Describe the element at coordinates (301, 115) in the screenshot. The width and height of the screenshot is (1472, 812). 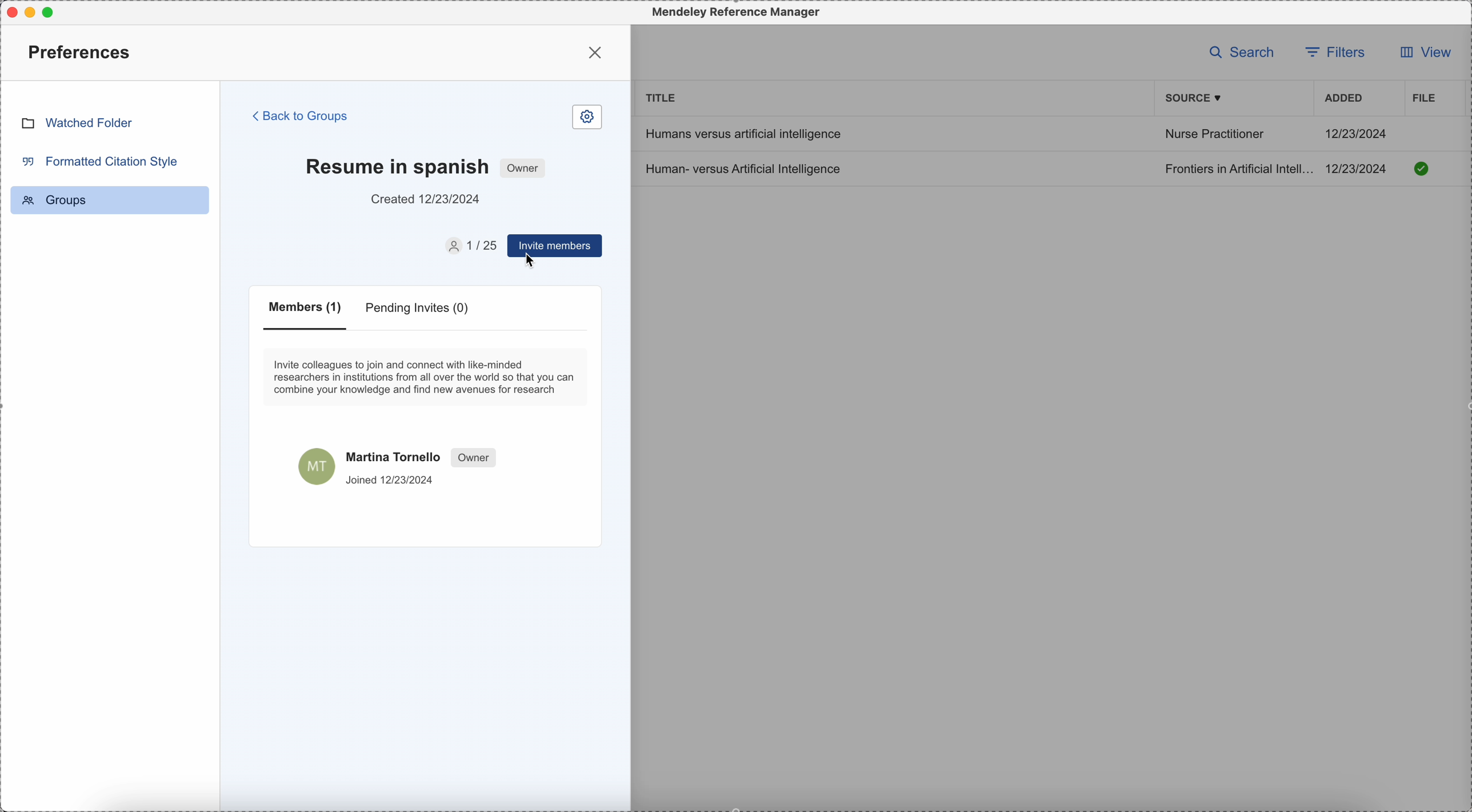
I see `back to groups` at that location.